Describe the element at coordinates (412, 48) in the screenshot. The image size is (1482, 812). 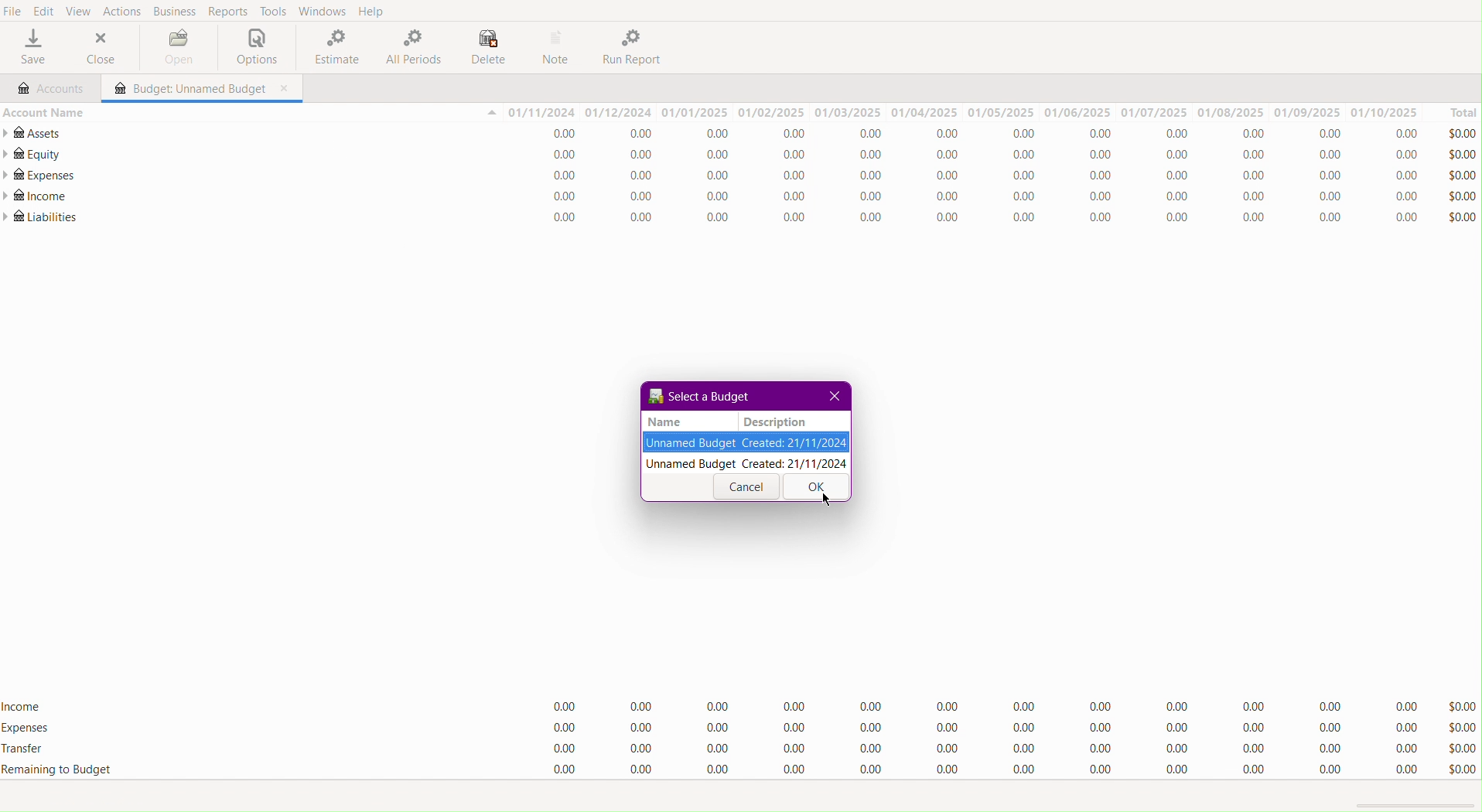
I see `All Periods` at that location.